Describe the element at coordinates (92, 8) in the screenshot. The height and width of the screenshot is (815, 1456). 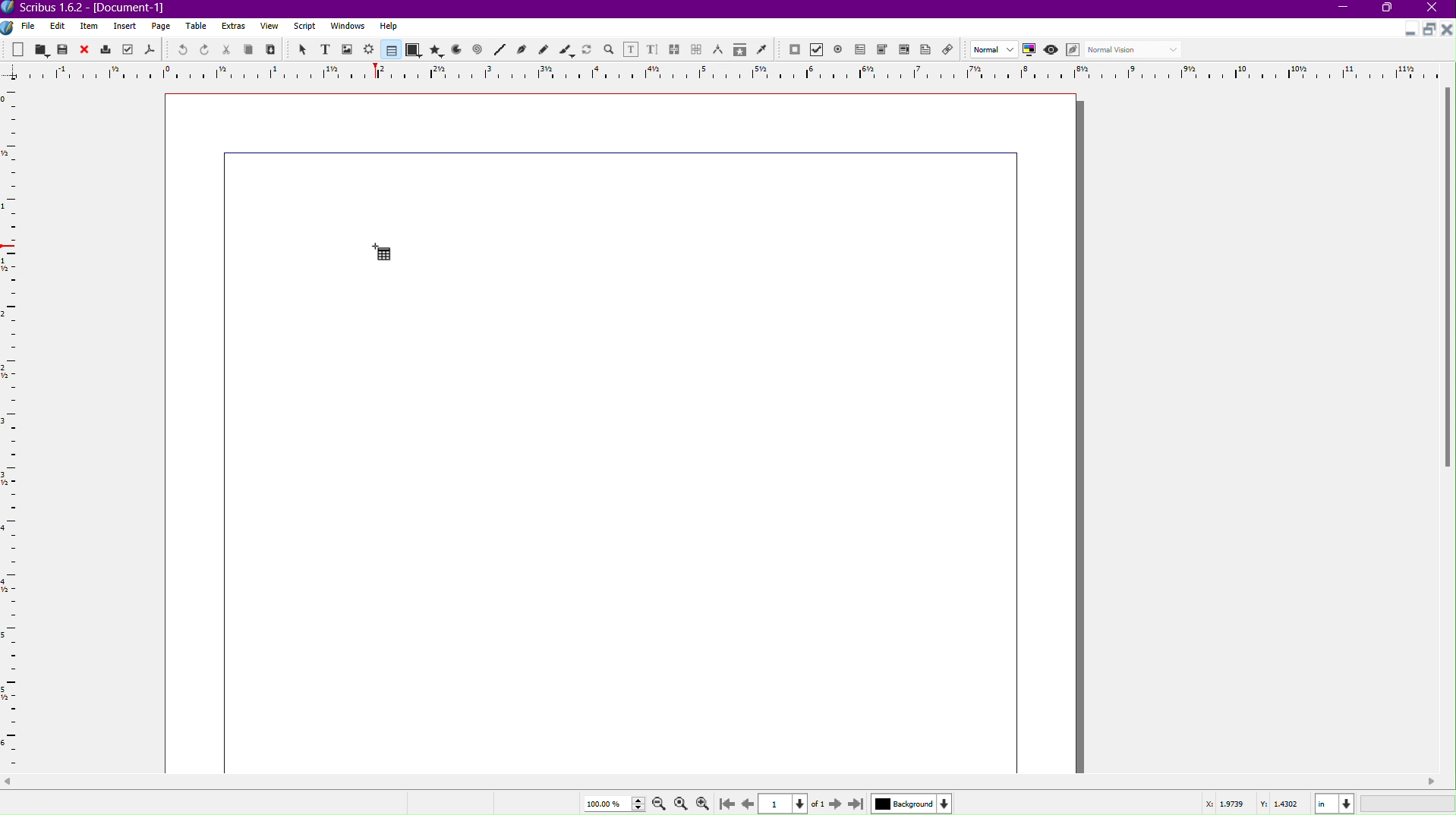
I see `Window Name` at that location.